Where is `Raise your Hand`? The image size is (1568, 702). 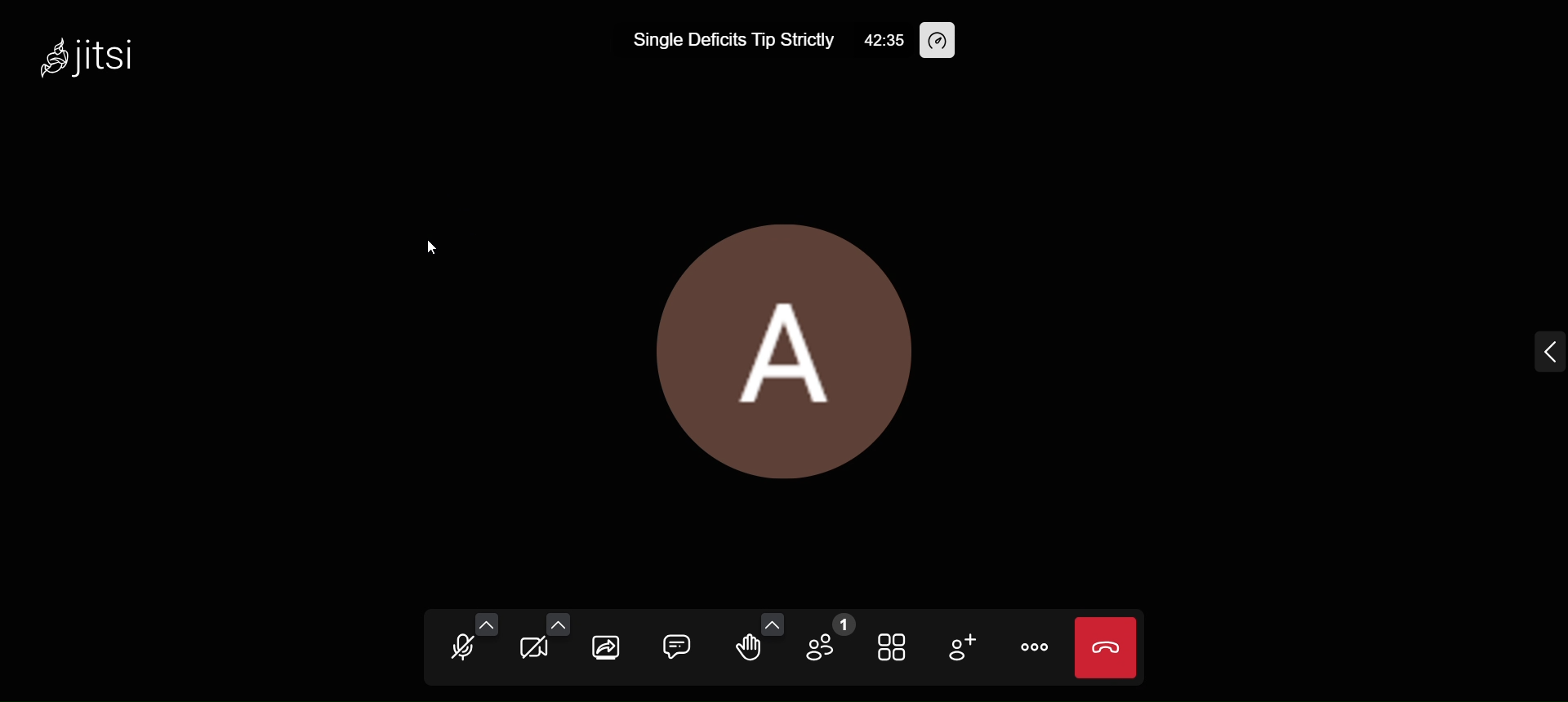 Raise your Hand is located at coordinates (748, 649).